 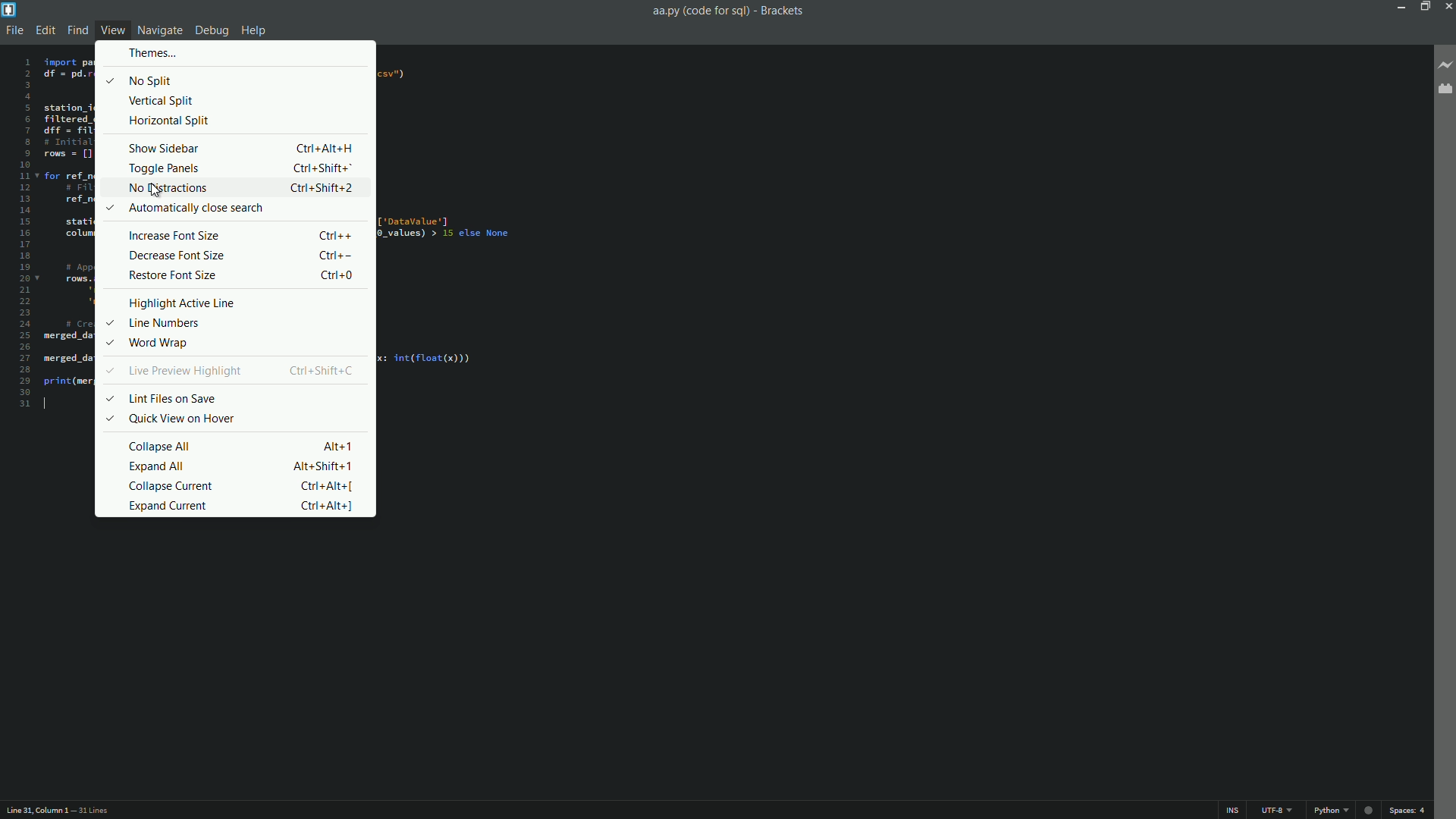 I want to click on navigate menu, so click(x=160, y=30).